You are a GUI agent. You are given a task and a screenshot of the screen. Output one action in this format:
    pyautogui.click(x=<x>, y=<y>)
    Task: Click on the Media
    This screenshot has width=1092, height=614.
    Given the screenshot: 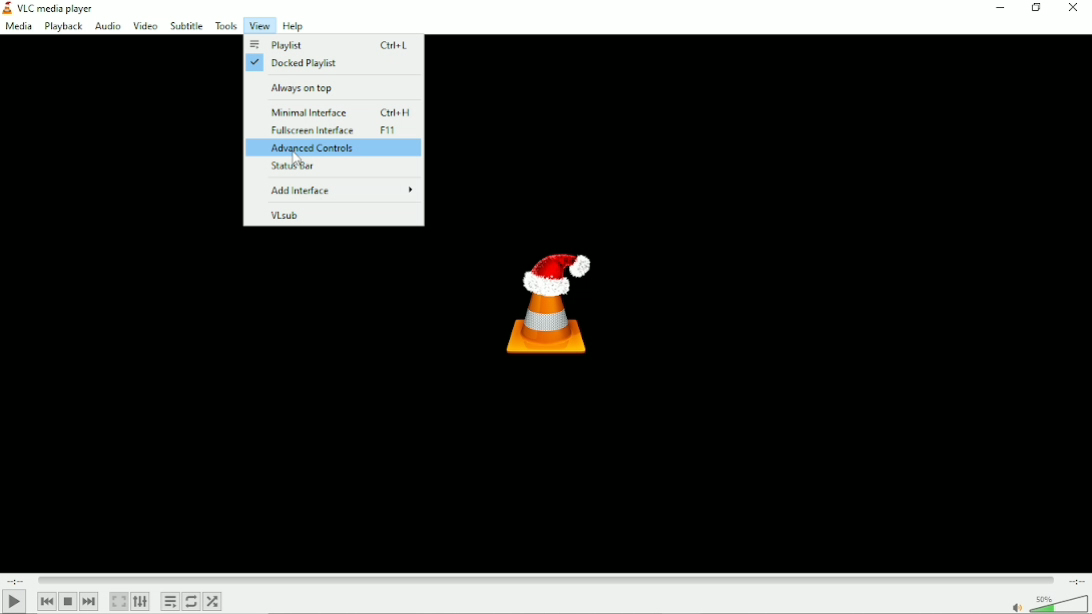 What is the action you would take?
    pyautogui.click(x=19, y=26)
    